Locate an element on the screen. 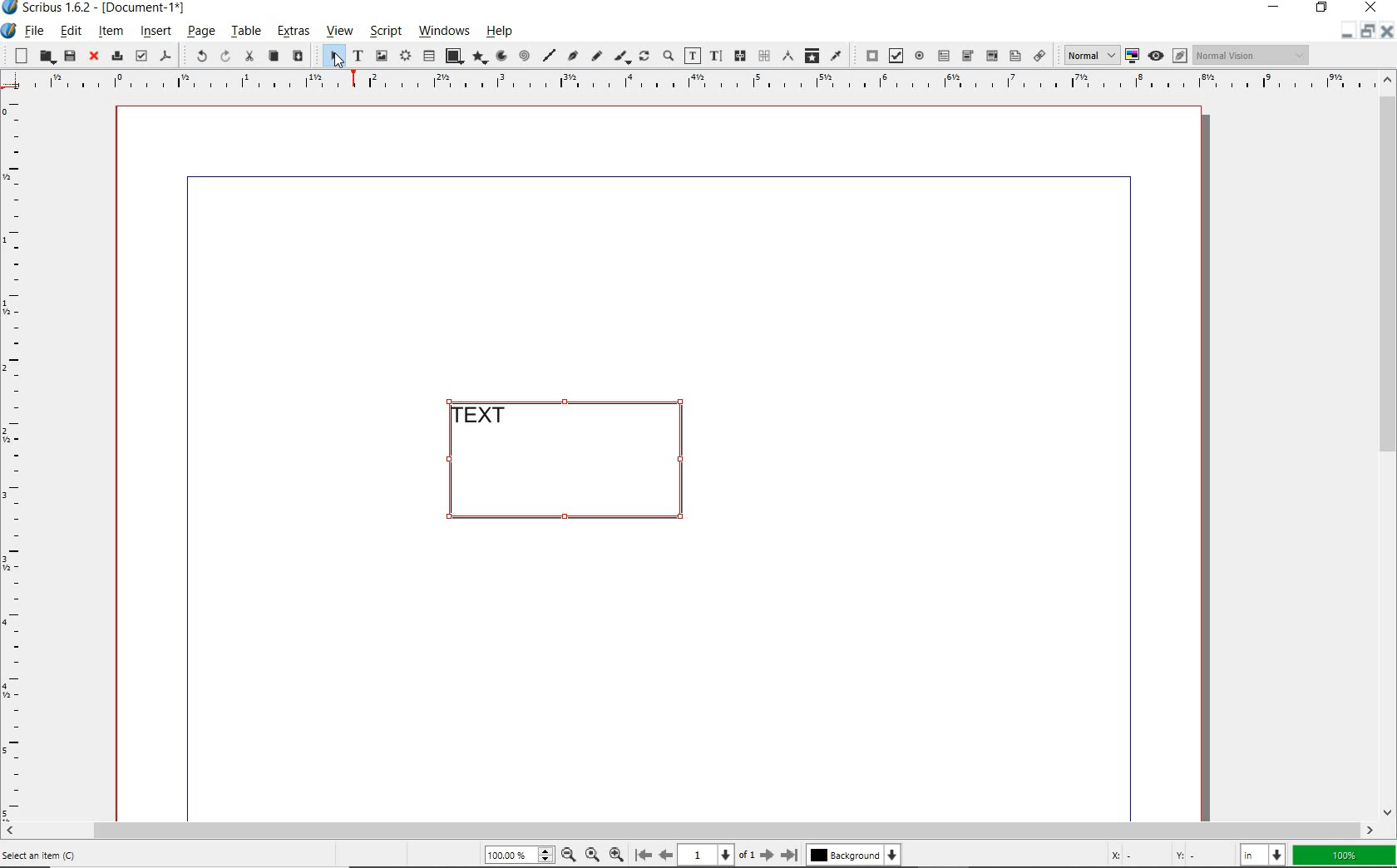 The image size is (1397, 868). help is located at coordinates (499, 33).